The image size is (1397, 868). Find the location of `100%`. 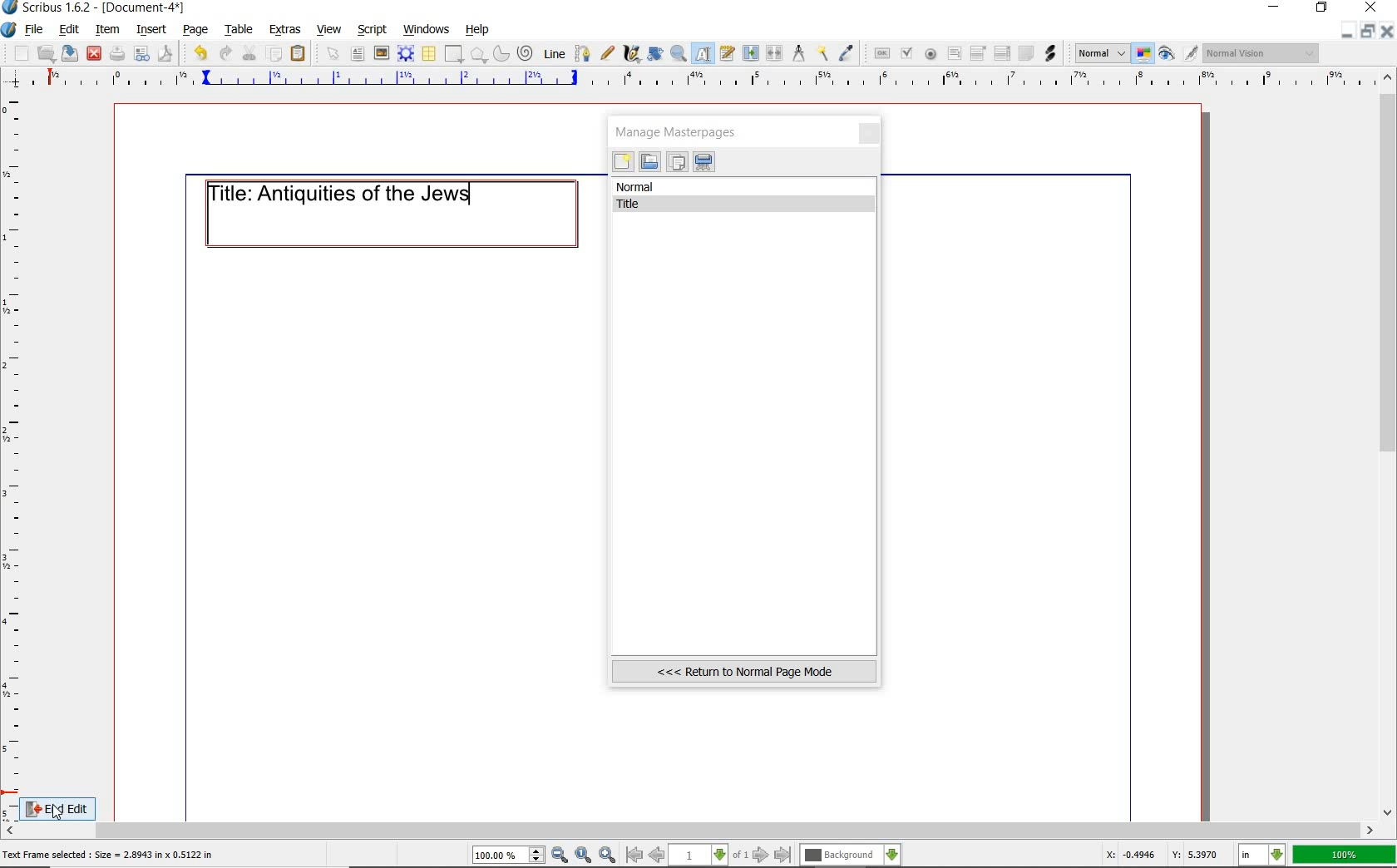

100% is located at coordinates (1345, 855).